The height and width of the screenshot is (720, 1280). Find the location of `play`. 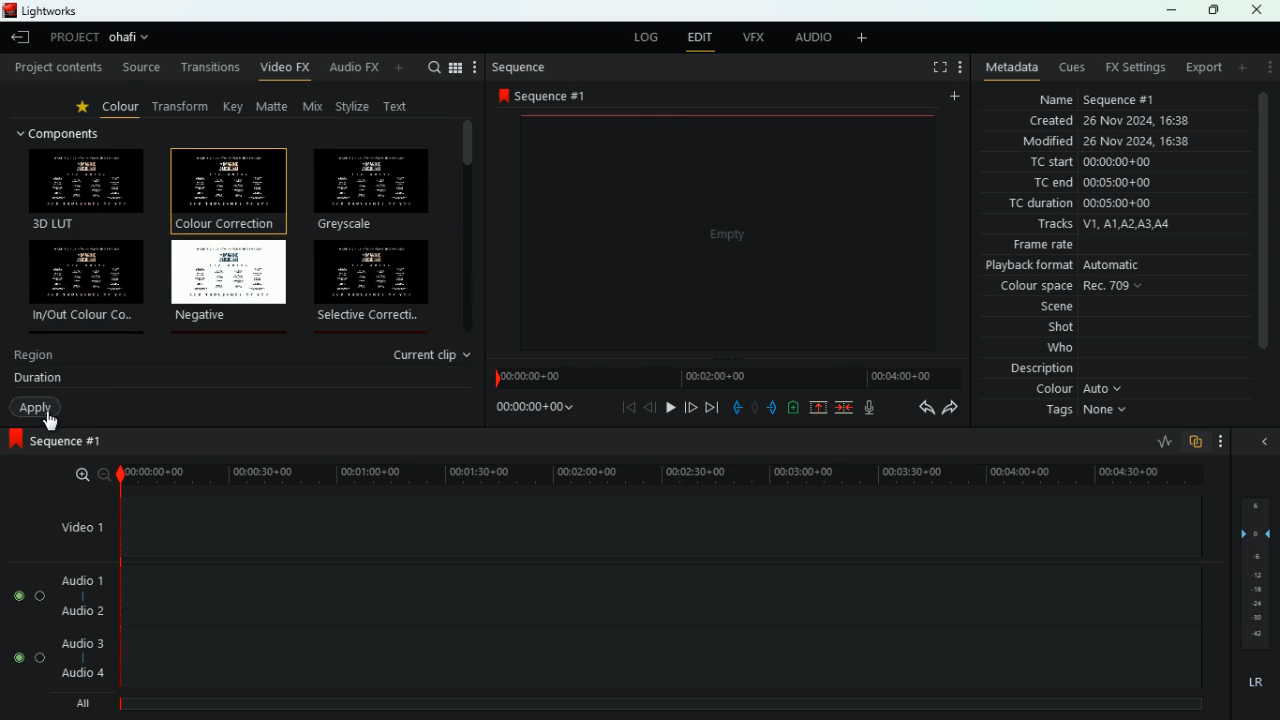

play is located at coordinates (670, 407).